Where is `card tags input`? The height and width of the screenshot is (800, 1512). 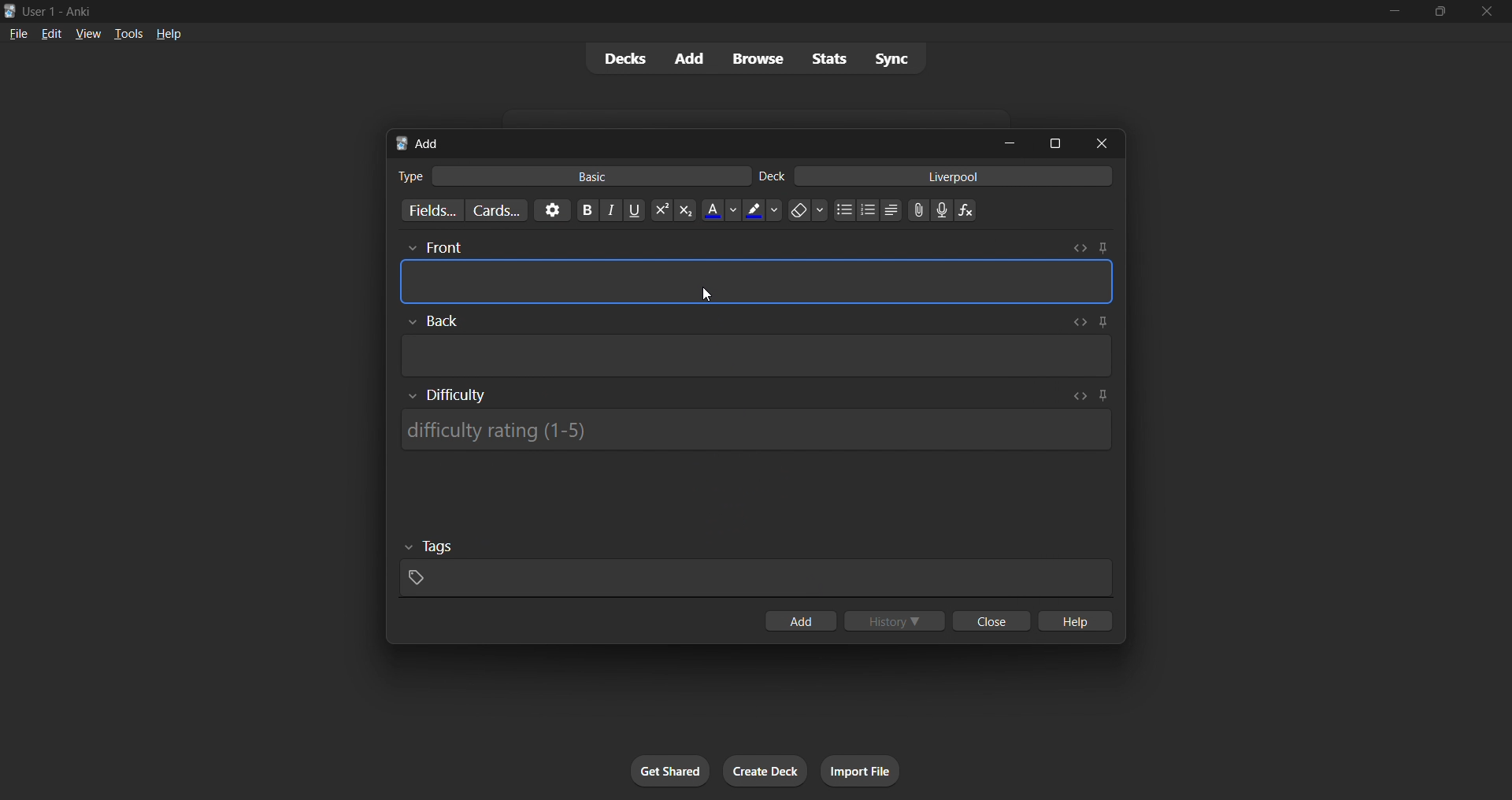 card tags input is located at coordinates (756, 579).